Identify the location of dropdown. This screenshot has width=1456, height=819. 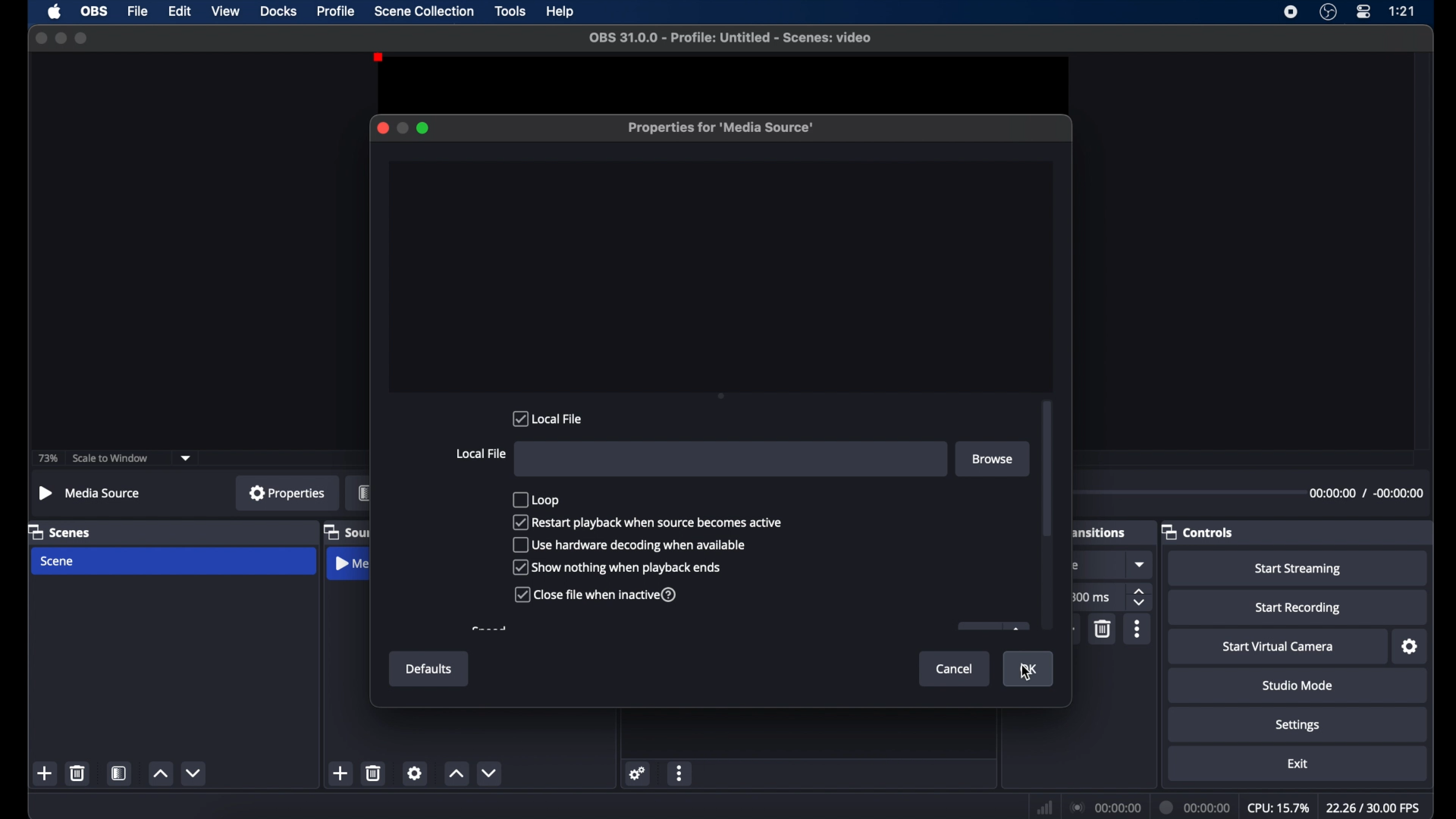
(187, 457).